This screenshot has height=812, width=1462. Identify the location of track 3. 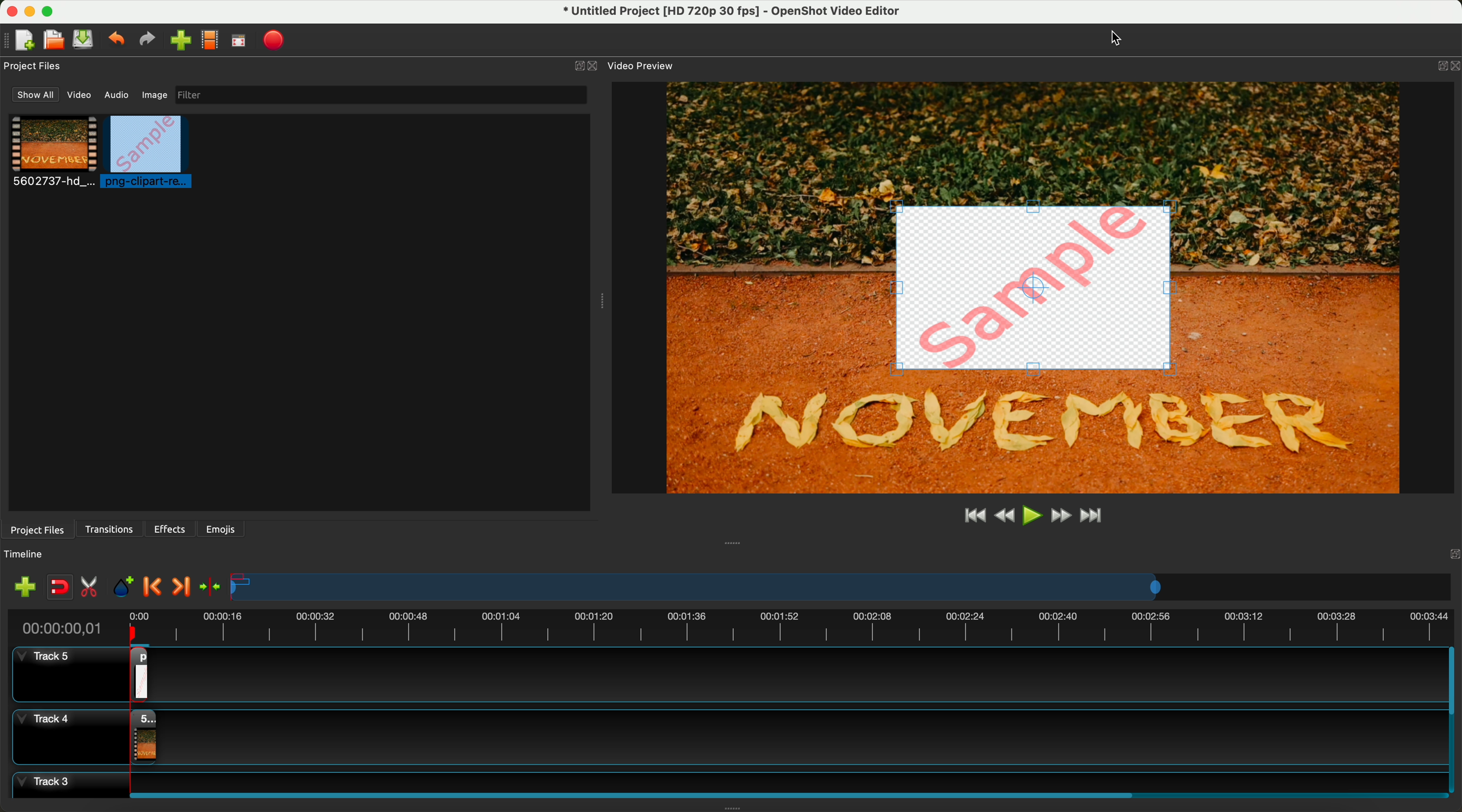
(724, 780).